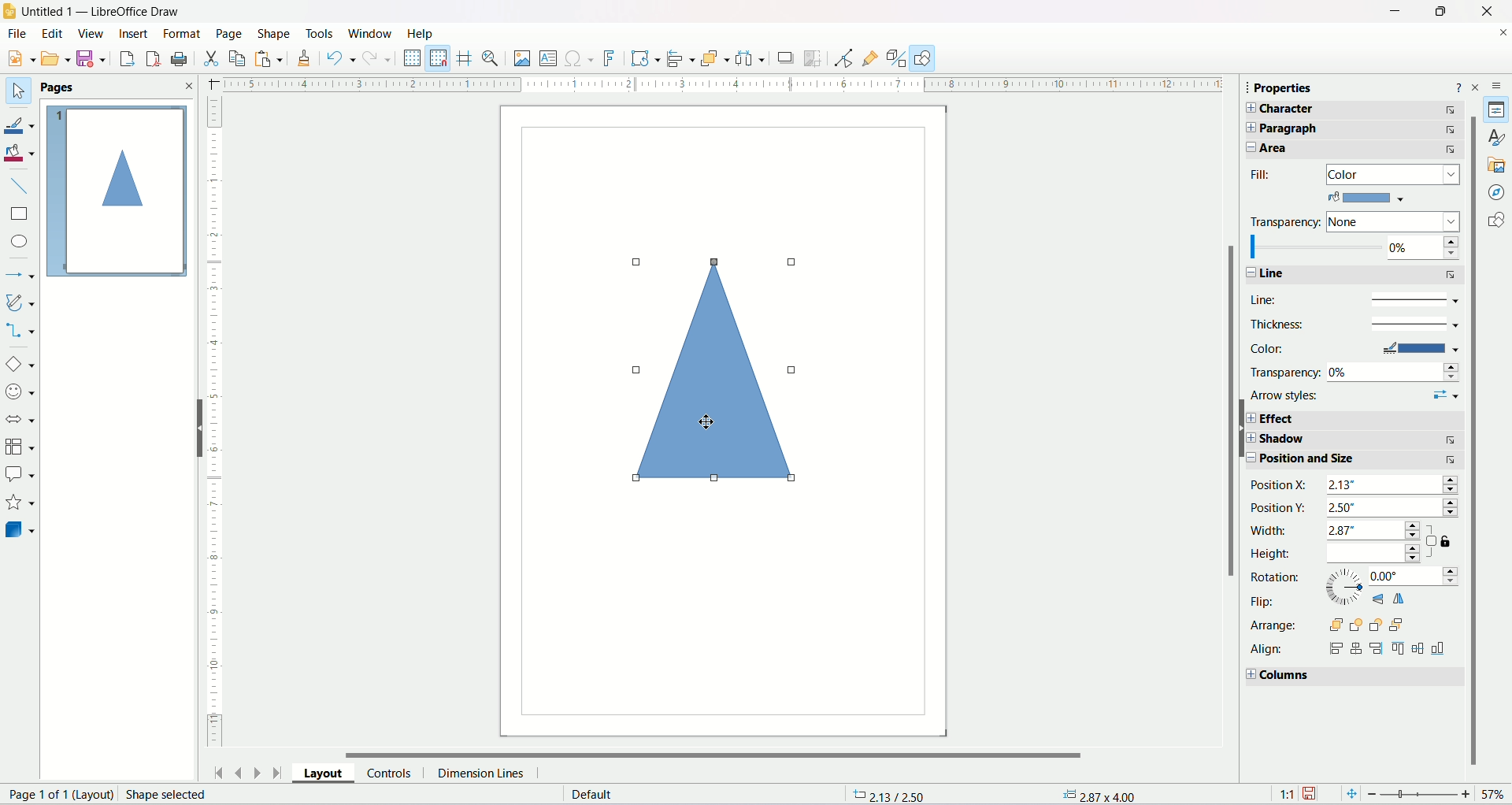 Image resolution: width=1512 pixels, height=805 pixels. What do you see at coordinates (715, 58) in the screenshot?
I see `Arrange` at bounding box center [715, 58].